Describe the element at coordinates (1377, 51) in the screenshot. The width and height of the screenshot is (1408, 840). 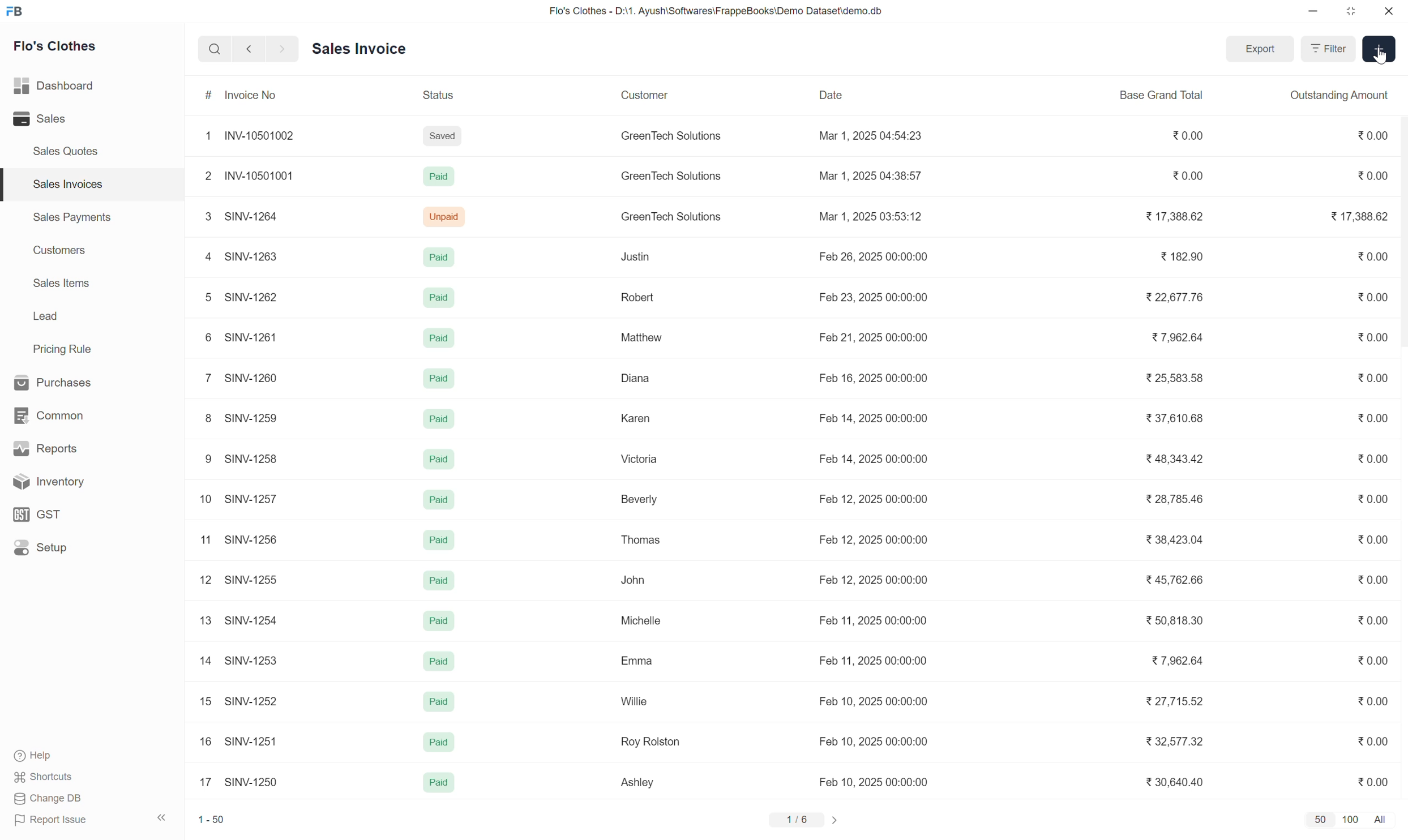
I see `add button` at that location.